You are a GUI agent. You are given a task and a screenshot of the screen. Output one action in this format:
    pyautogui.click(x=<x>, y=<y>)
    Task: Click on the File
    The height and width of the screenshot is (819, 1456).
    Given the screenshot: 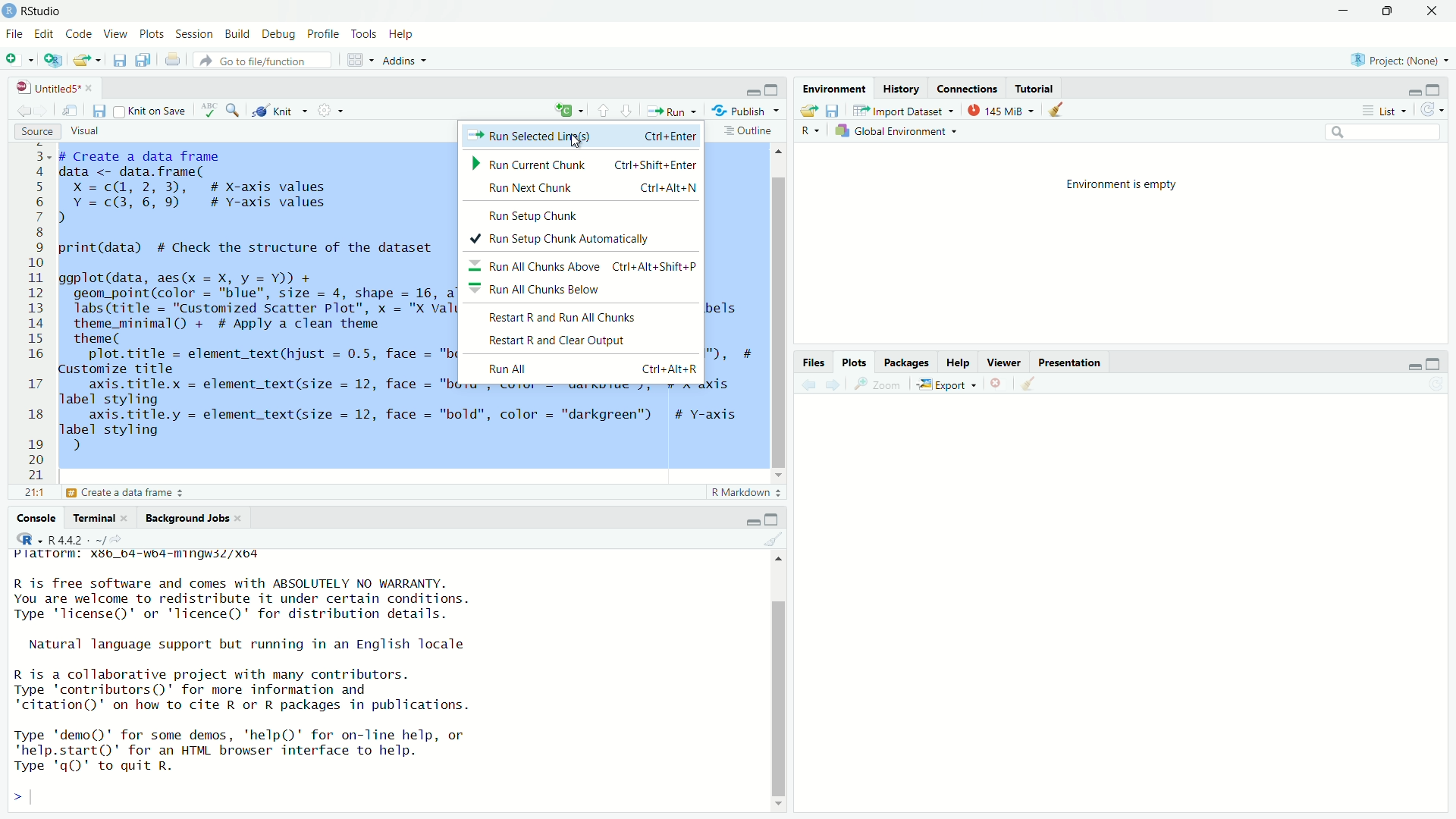 What is the action you would take?
    pyautogui.click(x=13, y=33)
    